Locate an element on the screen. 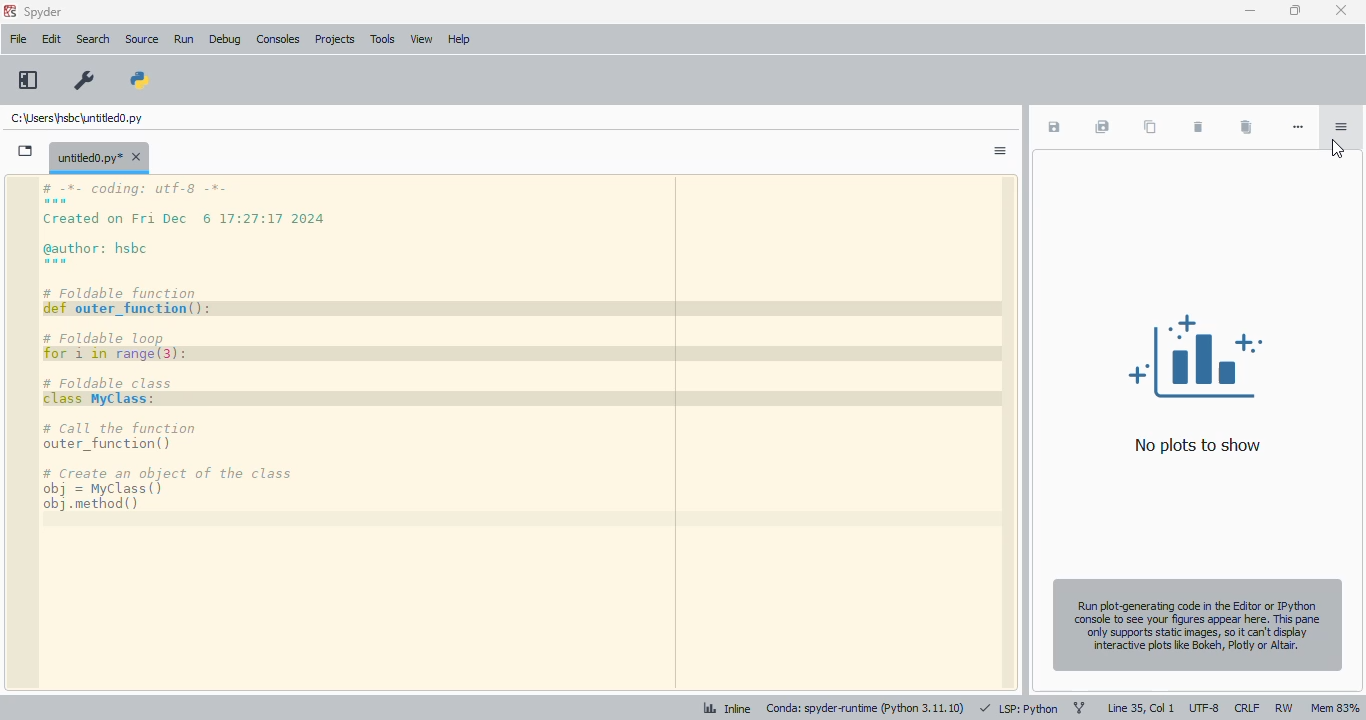  file is located at coordinates (17, 38).